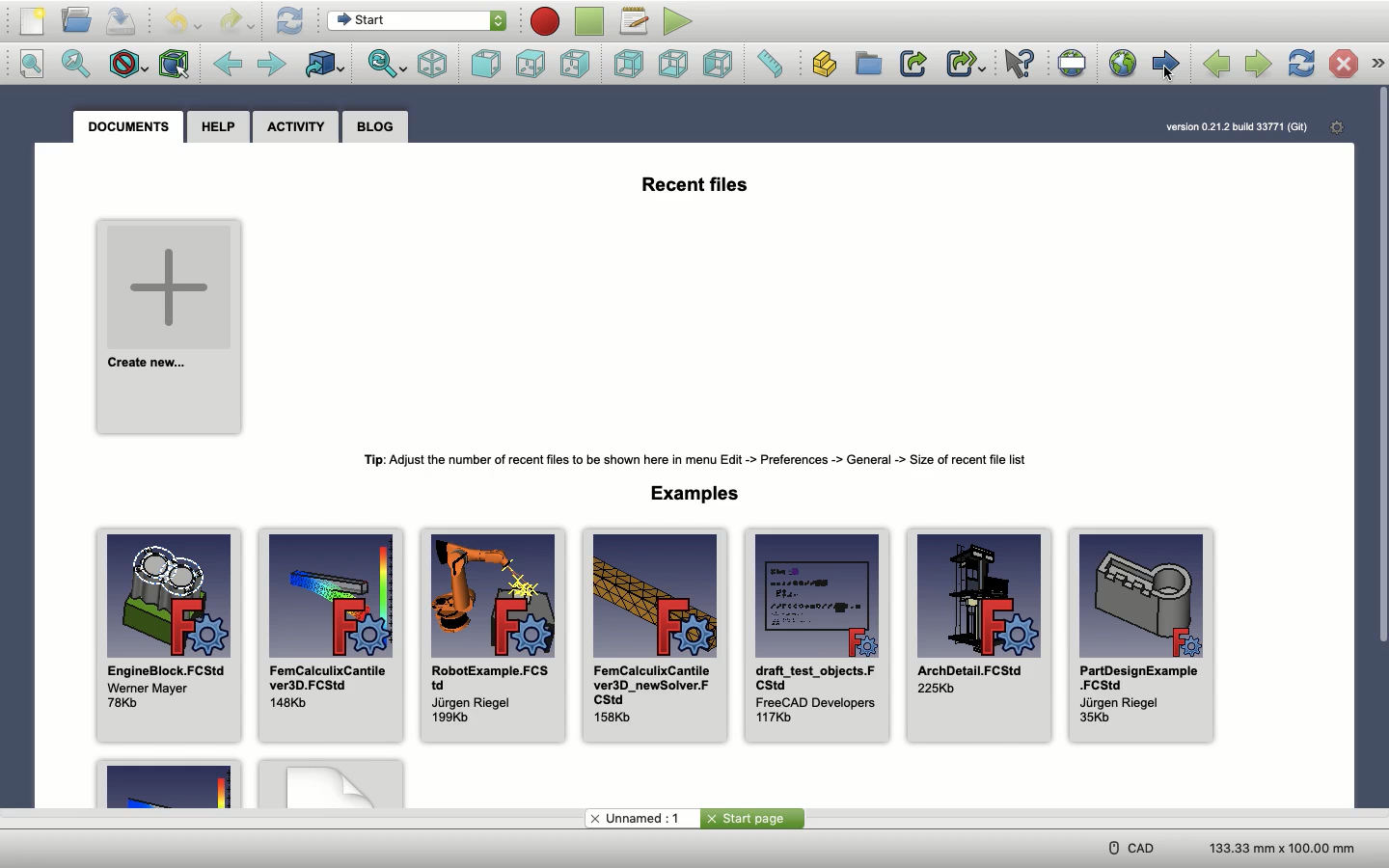 This screenshot has height=868, width=1389. Describe the element at coordinates (301, 124) in the screenshot. I see `Activity` at that location.